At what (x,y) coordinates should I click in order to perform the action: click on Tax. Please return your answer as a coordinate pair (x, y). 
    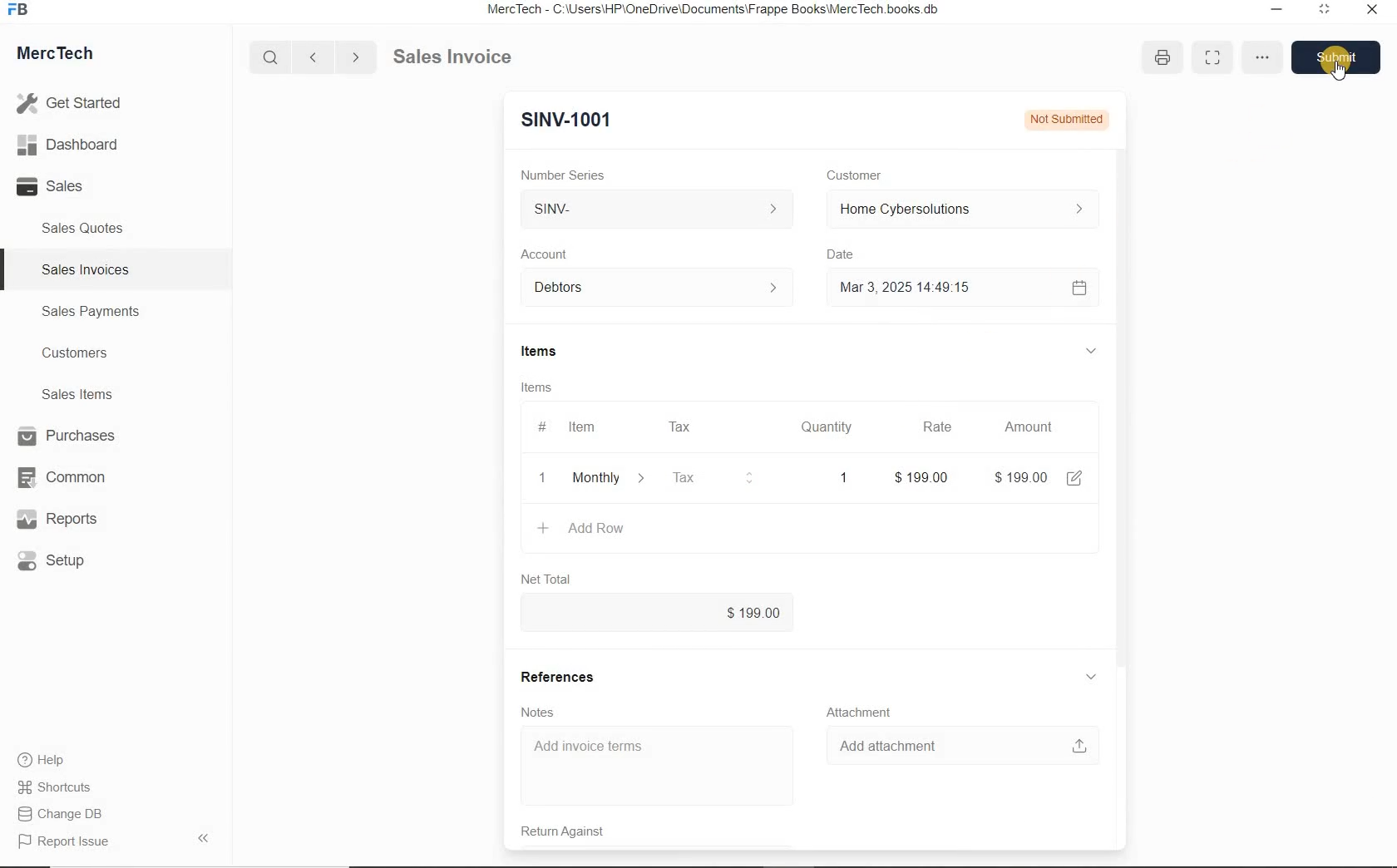
    Looking at the image, I should click on (714, 476).